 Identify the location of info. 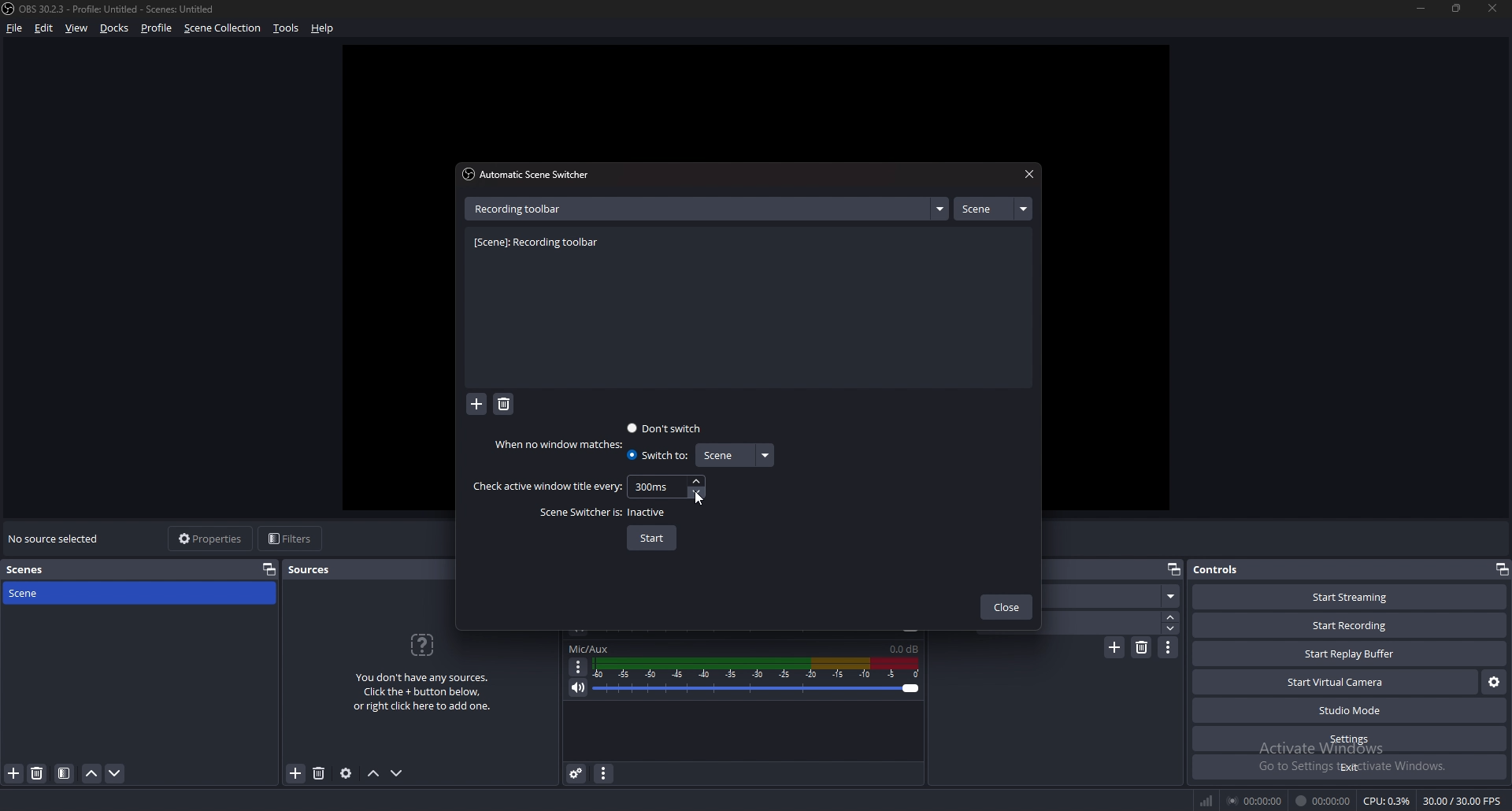
(423, 670).